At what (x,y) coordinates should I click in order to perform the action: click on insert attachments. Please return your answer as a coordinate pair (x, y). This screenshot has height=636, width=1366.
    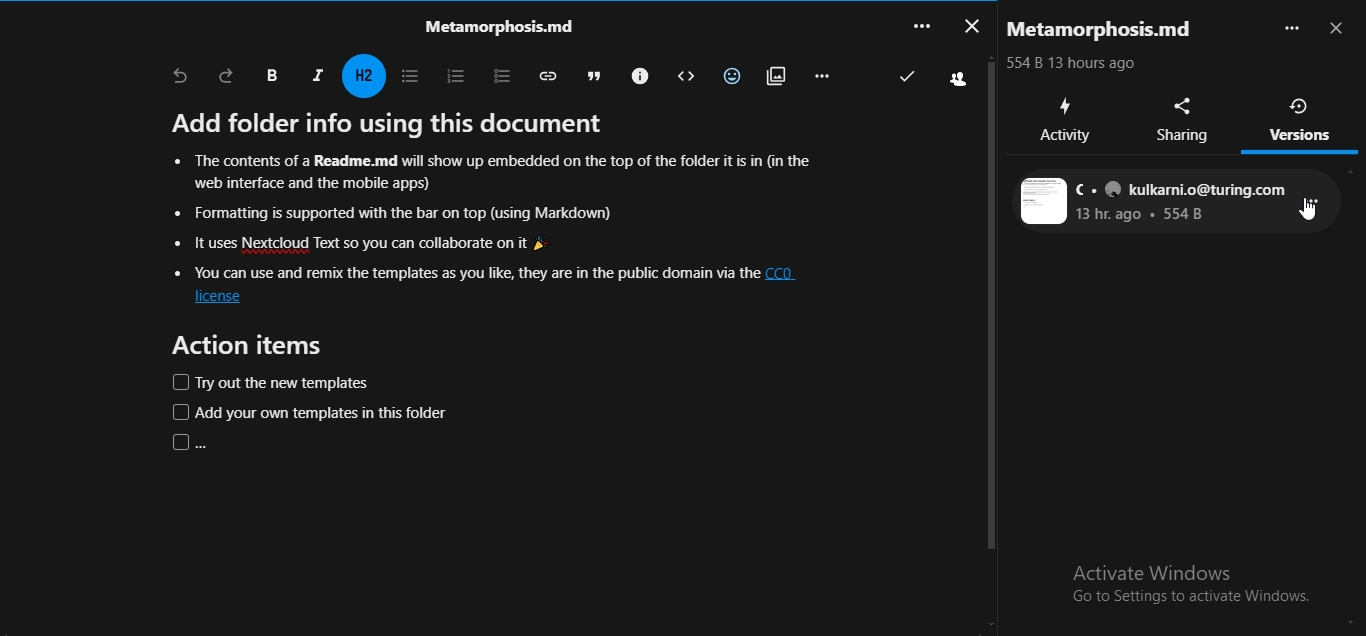
    Looking at the image, I should click on (773, 74).